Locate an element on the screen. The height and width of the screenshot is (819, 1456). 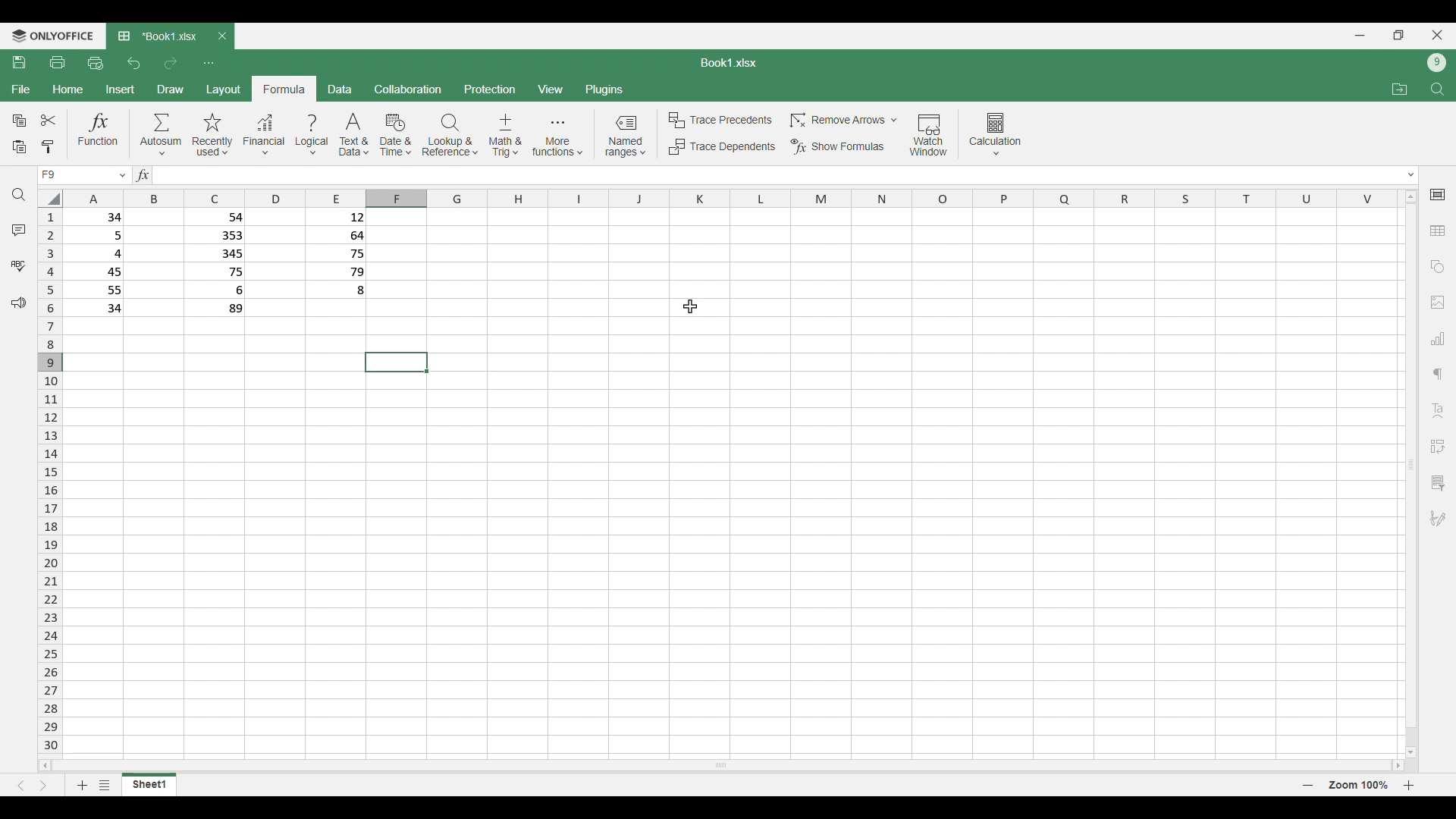
Spell check is located at coordinates (18, 265).